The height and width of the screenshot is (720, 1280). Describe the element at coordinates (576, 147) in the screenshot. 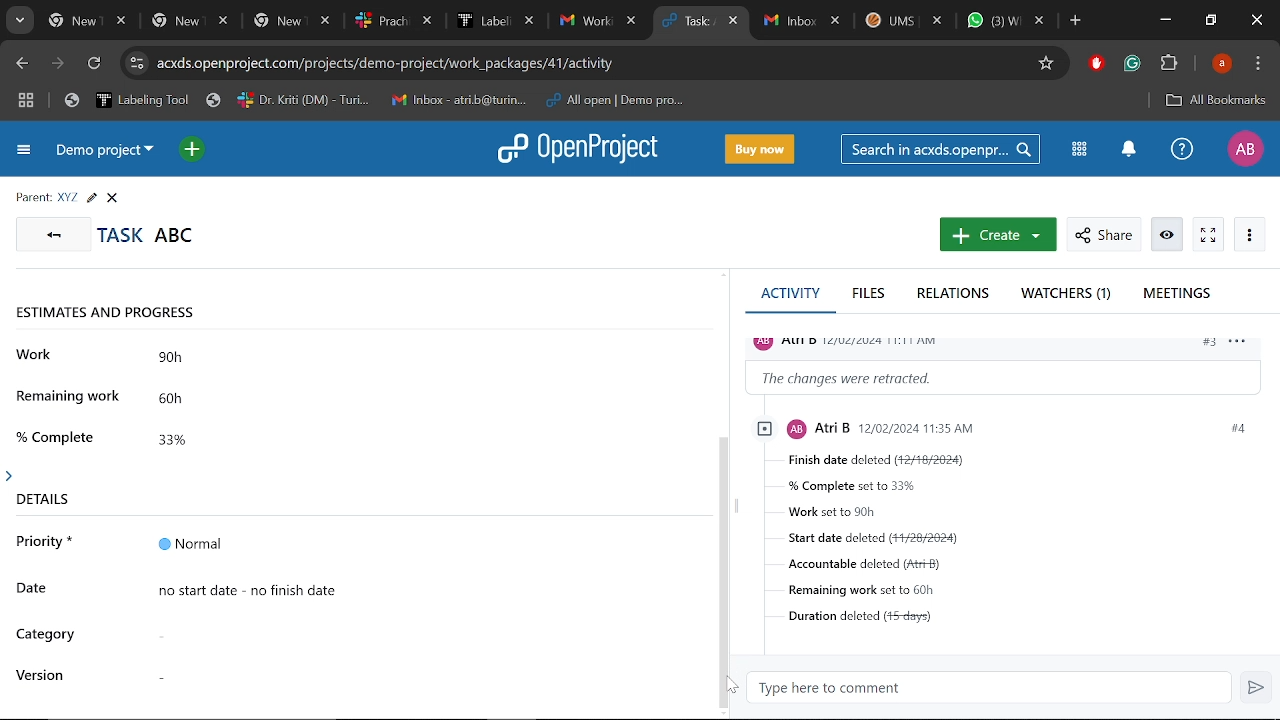

I see `Open project logo` at that location.